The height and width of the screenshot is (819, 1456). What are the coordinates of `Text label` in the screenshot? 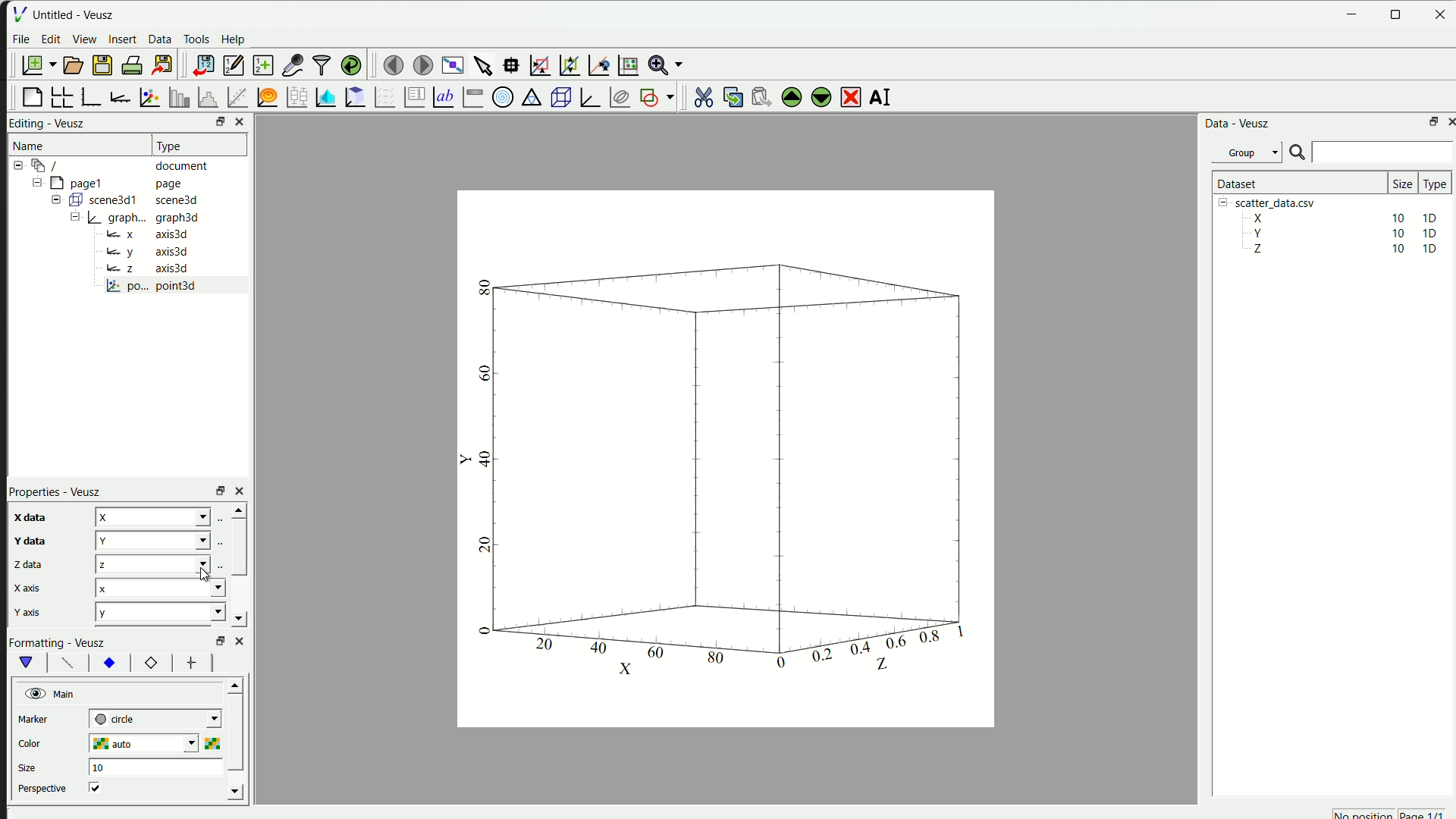 It's located at (442, 98).